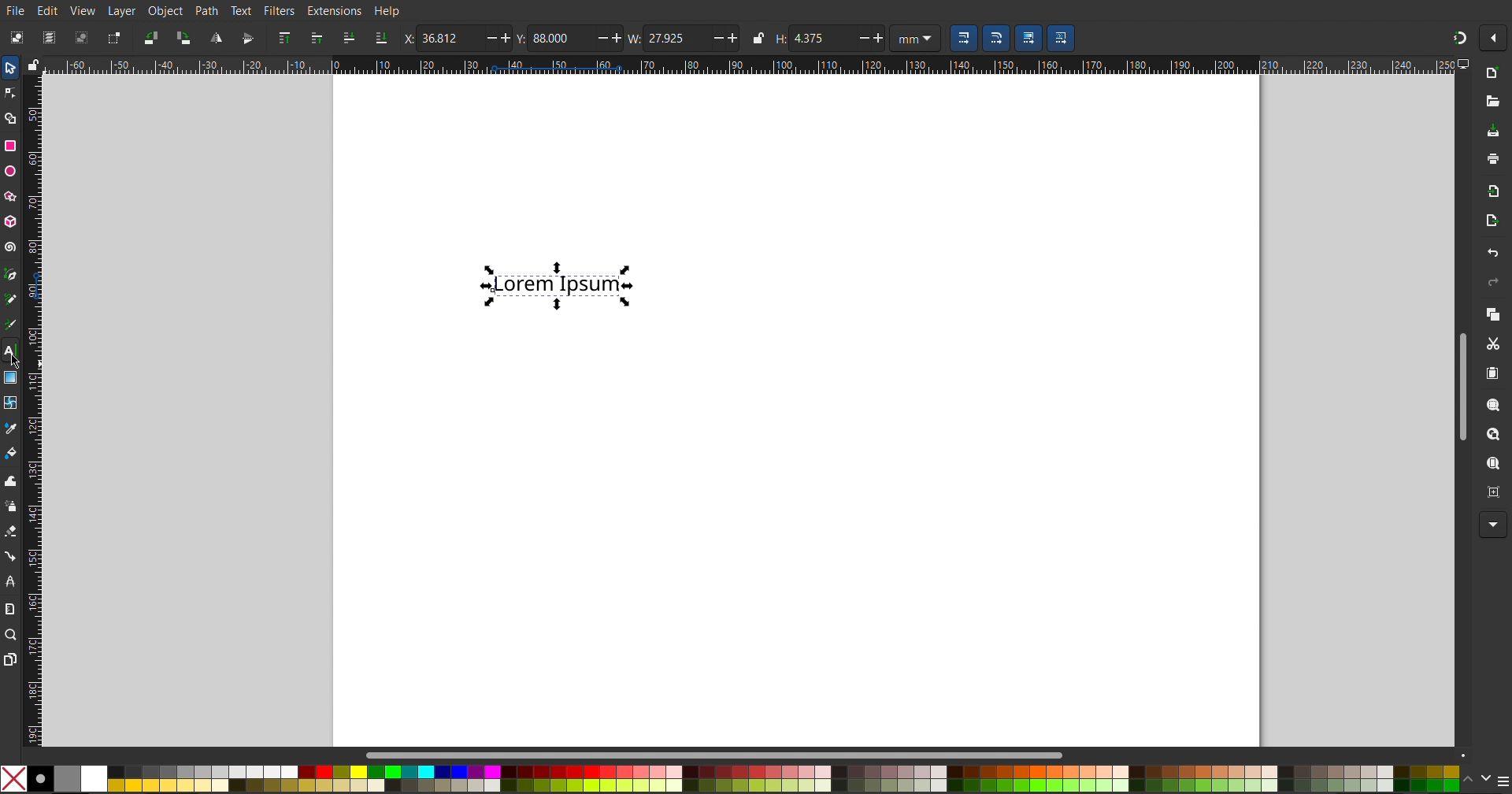 This screenshot has height=794, width=1512. What do you see at coordinates (1492, 100) in the screenshot?
I see `Open` at bounding box center [1492, 100].